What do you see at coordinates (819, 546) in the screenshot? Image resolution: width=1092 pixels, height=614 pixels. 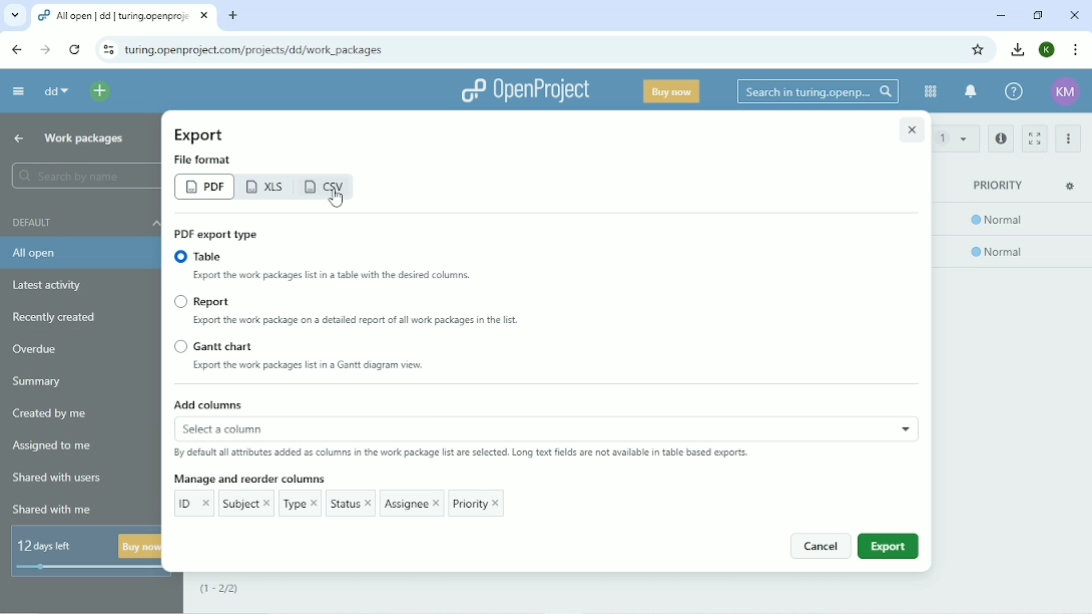 I see `Cancel` at bounding box center [819, 546].